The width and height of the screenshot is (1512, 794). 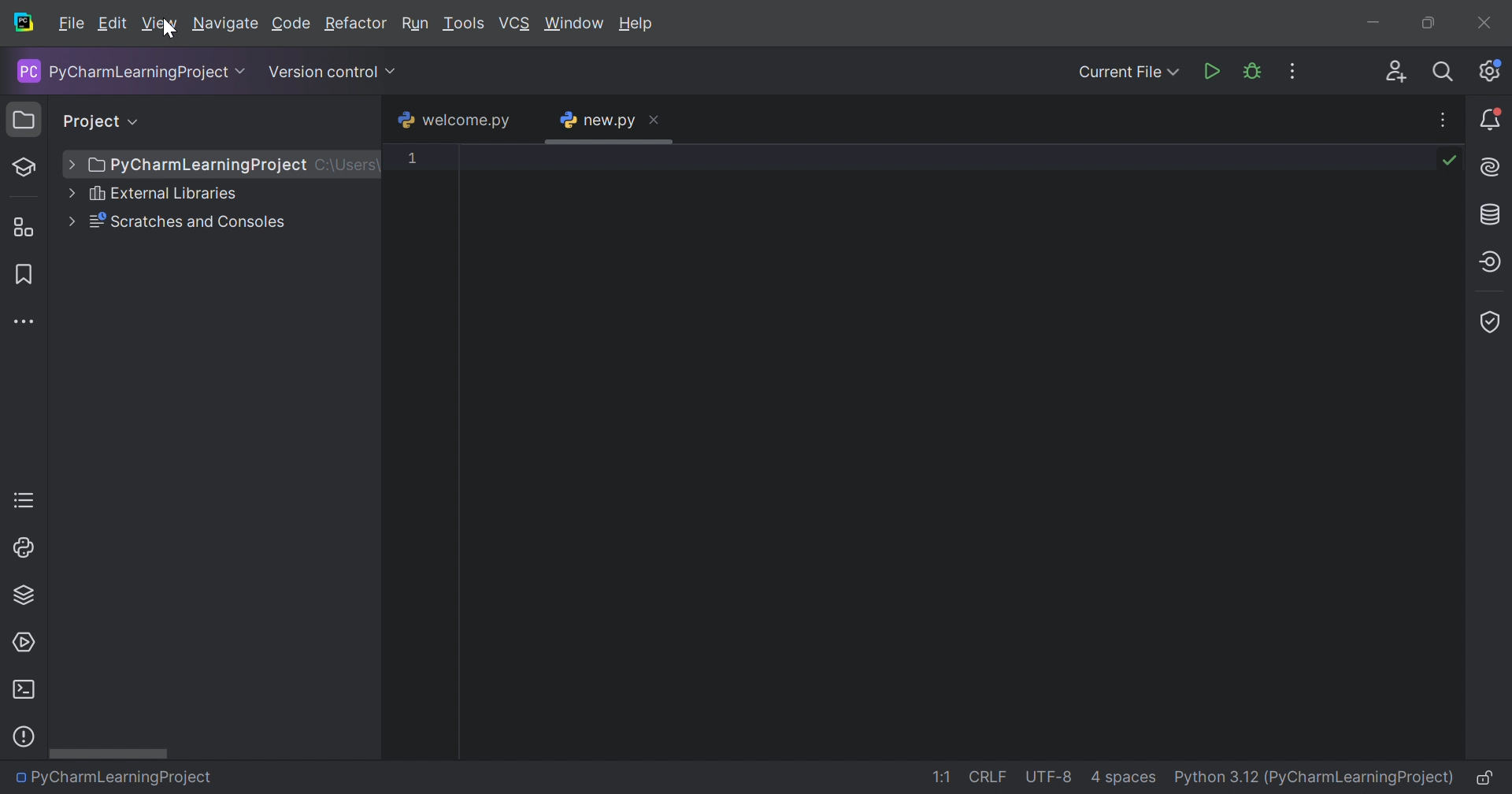 What do you see at coordinates (453, 121) in the screenshot?
I see `welcome.py` at bounding box center [453, 121].